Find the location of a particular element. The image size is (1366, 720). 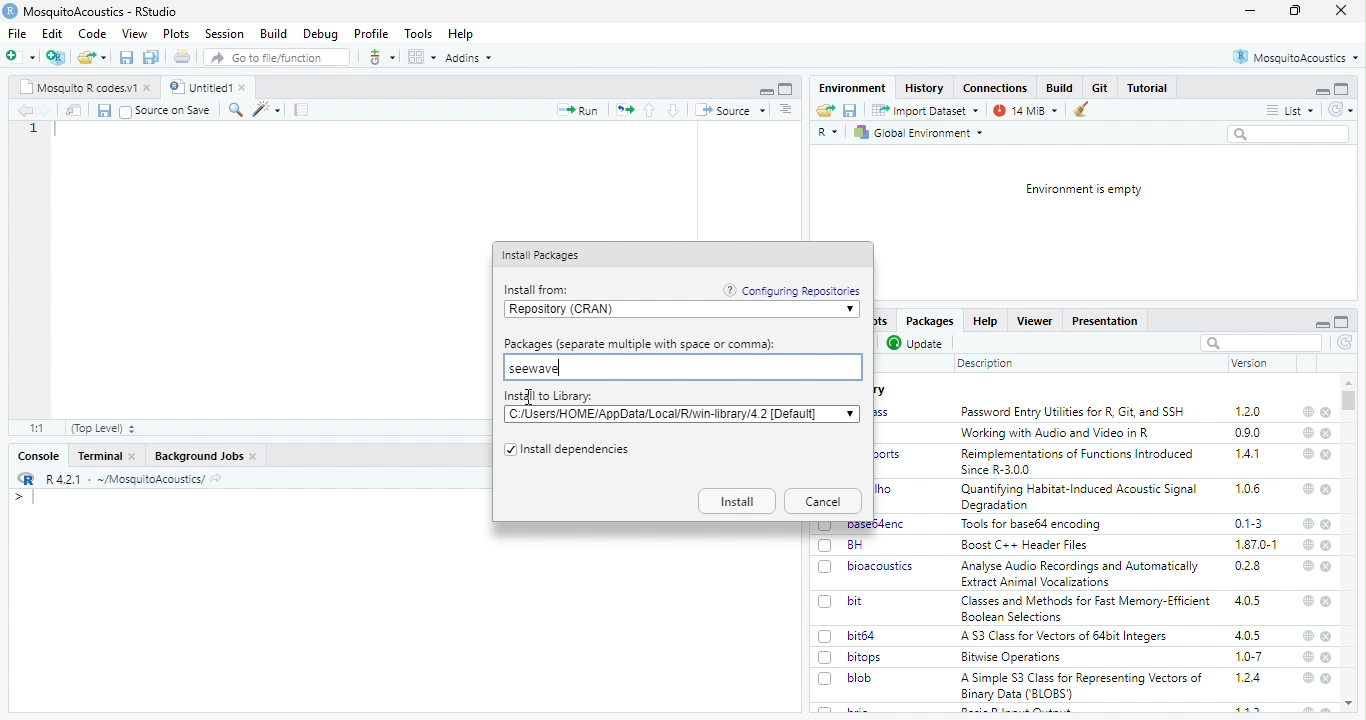

1 is located at coordinates (34, 128).